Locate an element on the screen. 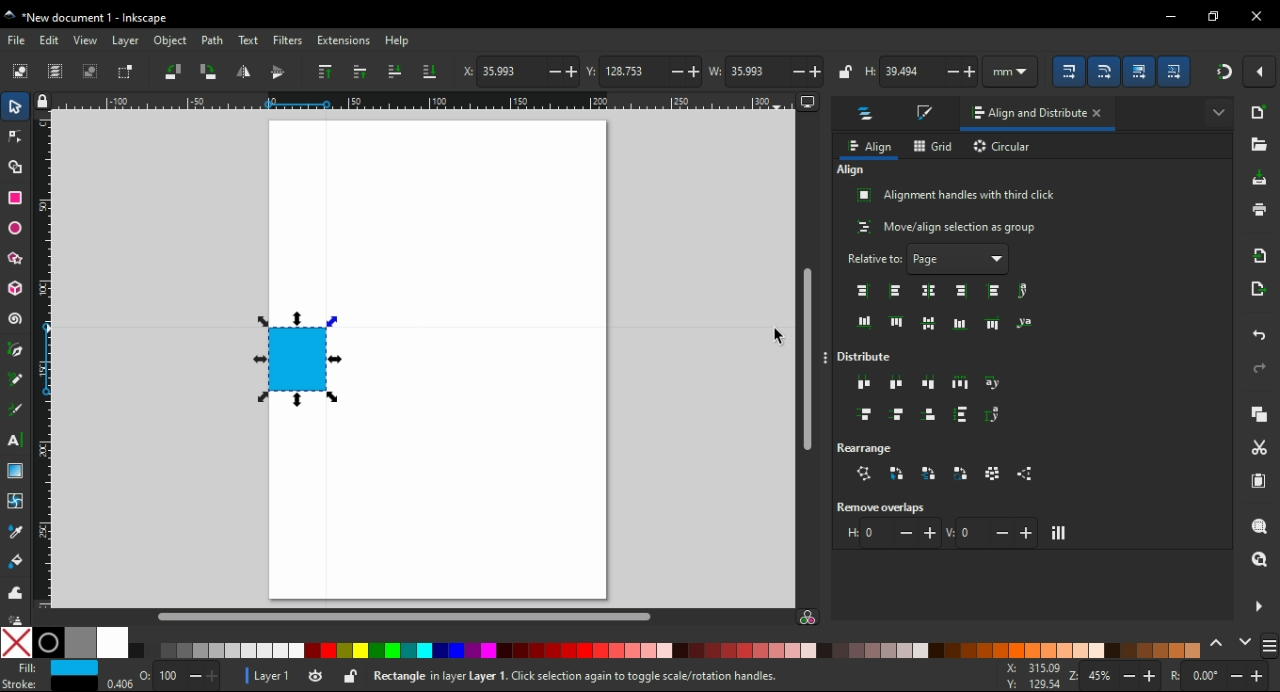 The image size is (1280, 692). scroll bar is located at coordinates (807, 359).